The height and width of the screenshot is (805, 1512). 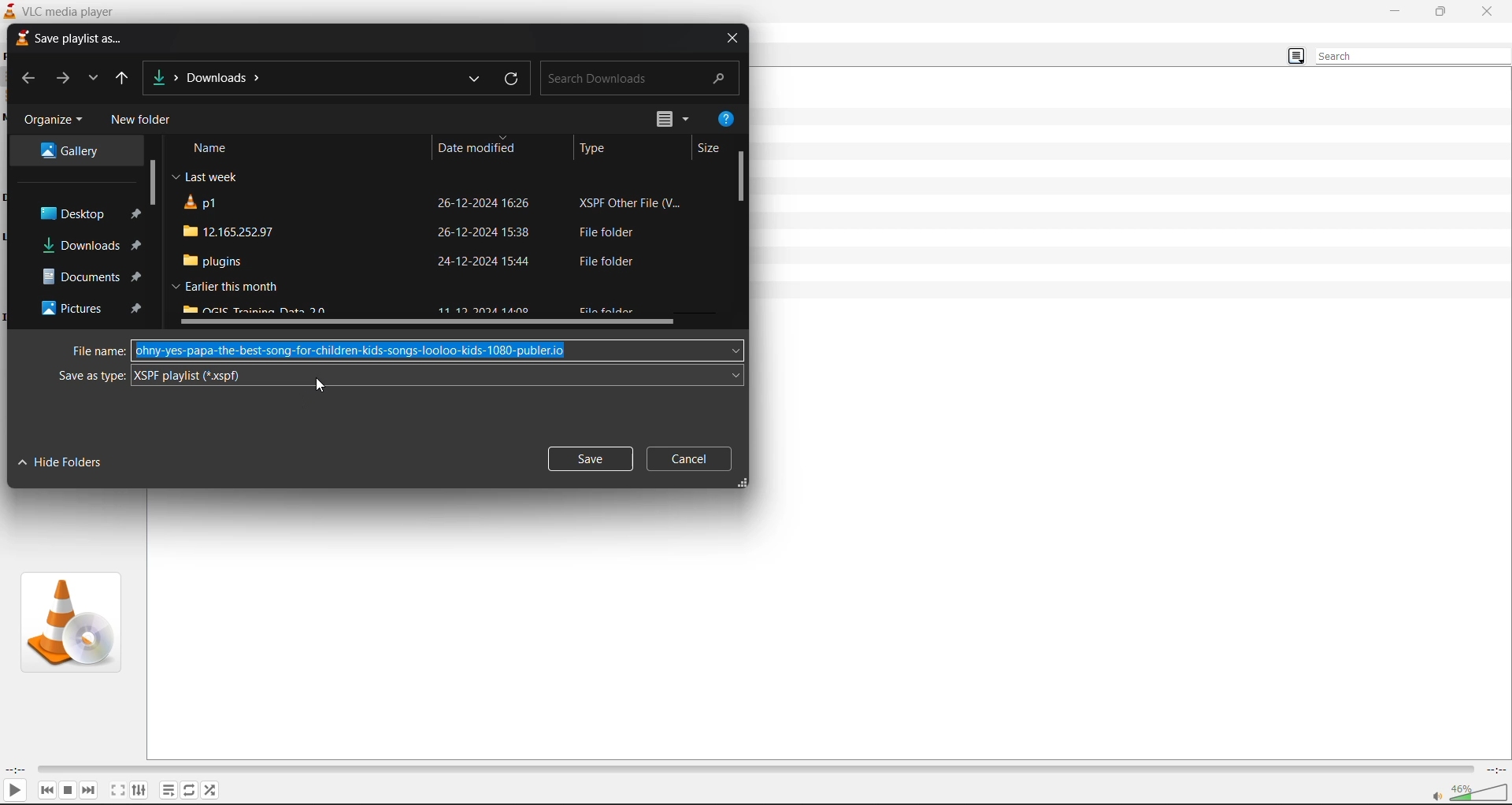 What do you see at coordinates (726, 122) in the screenshot?
I see `help` at bounding box center [726, 122].